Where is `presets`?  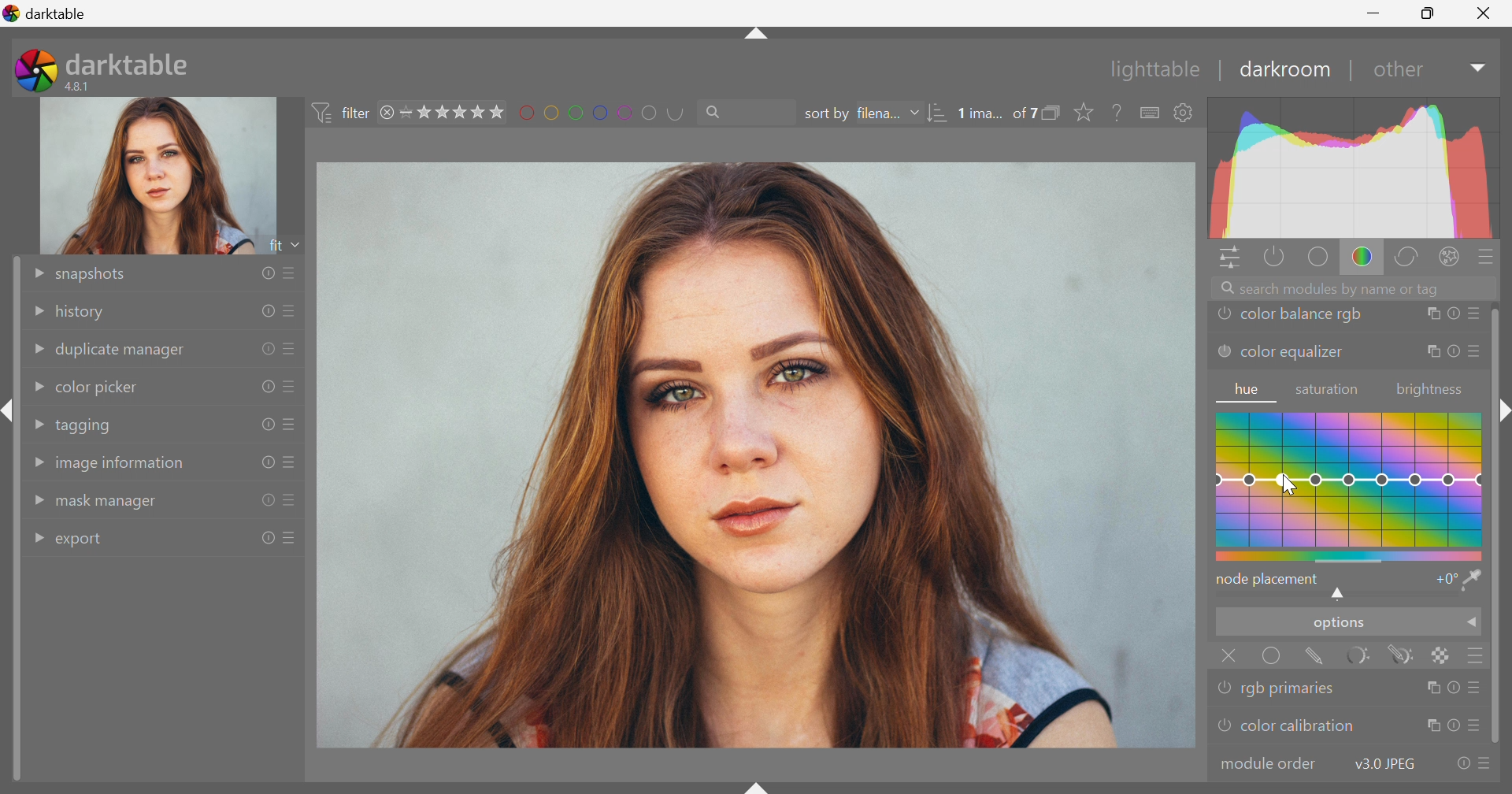 presets is located at coordinates (291, 501).